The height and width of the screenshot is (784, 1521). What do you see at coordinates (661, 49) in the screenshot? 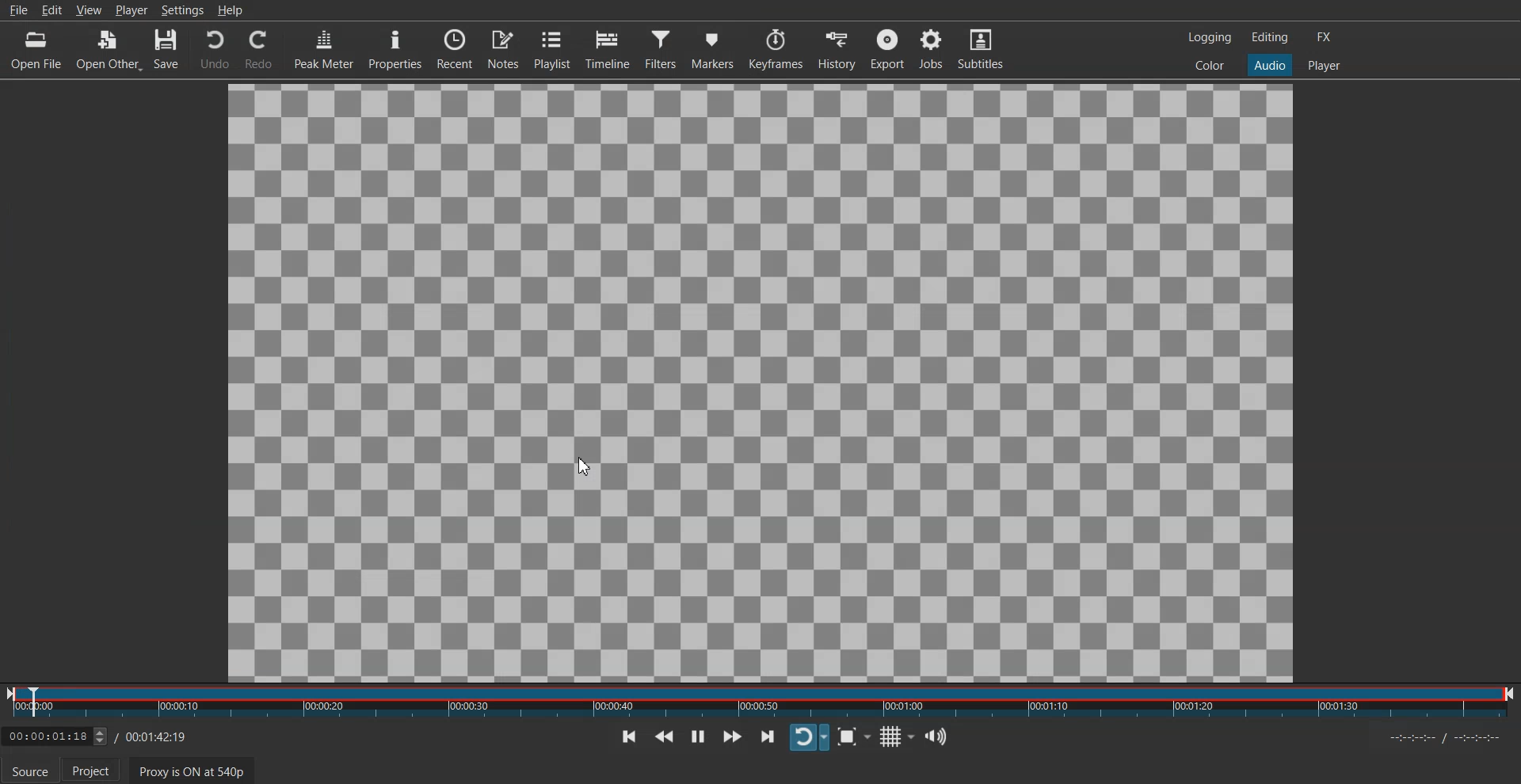
I see `Filter` at bounding box center [661, 49].